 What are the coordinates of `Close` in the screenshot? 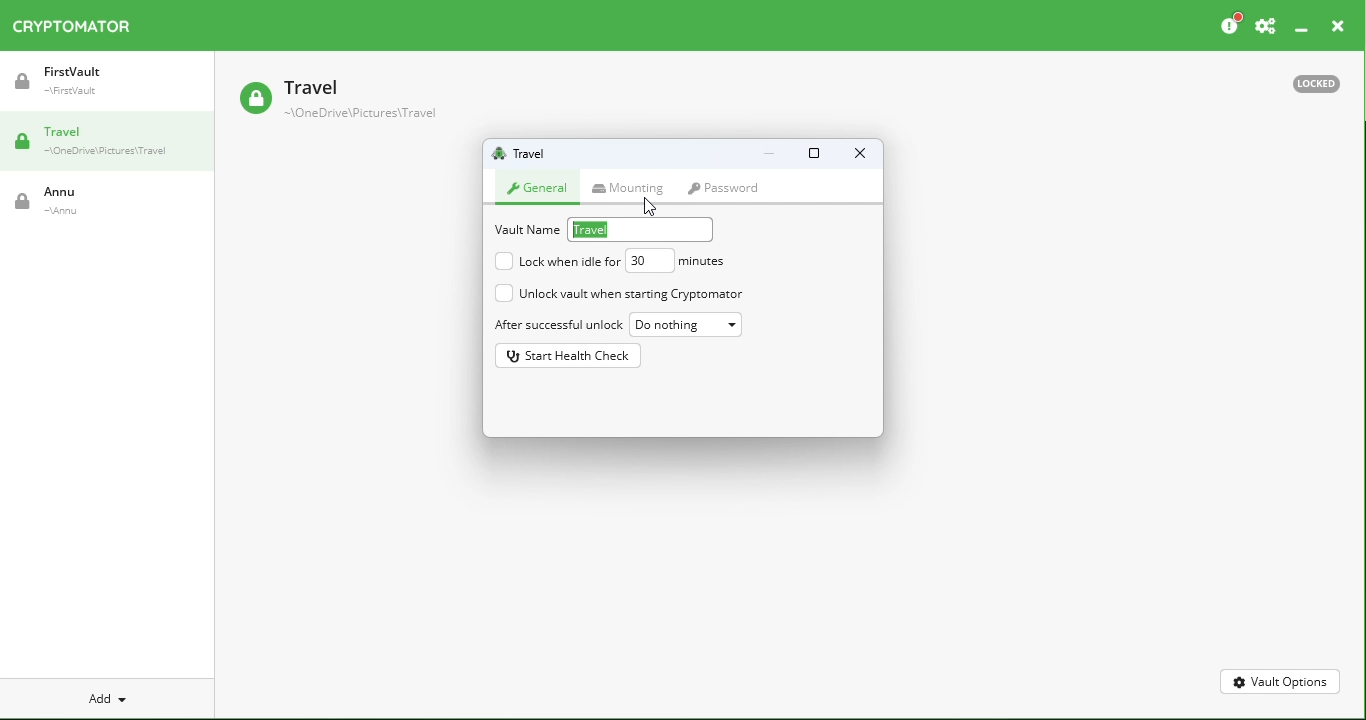 It's located at (1332, 25).